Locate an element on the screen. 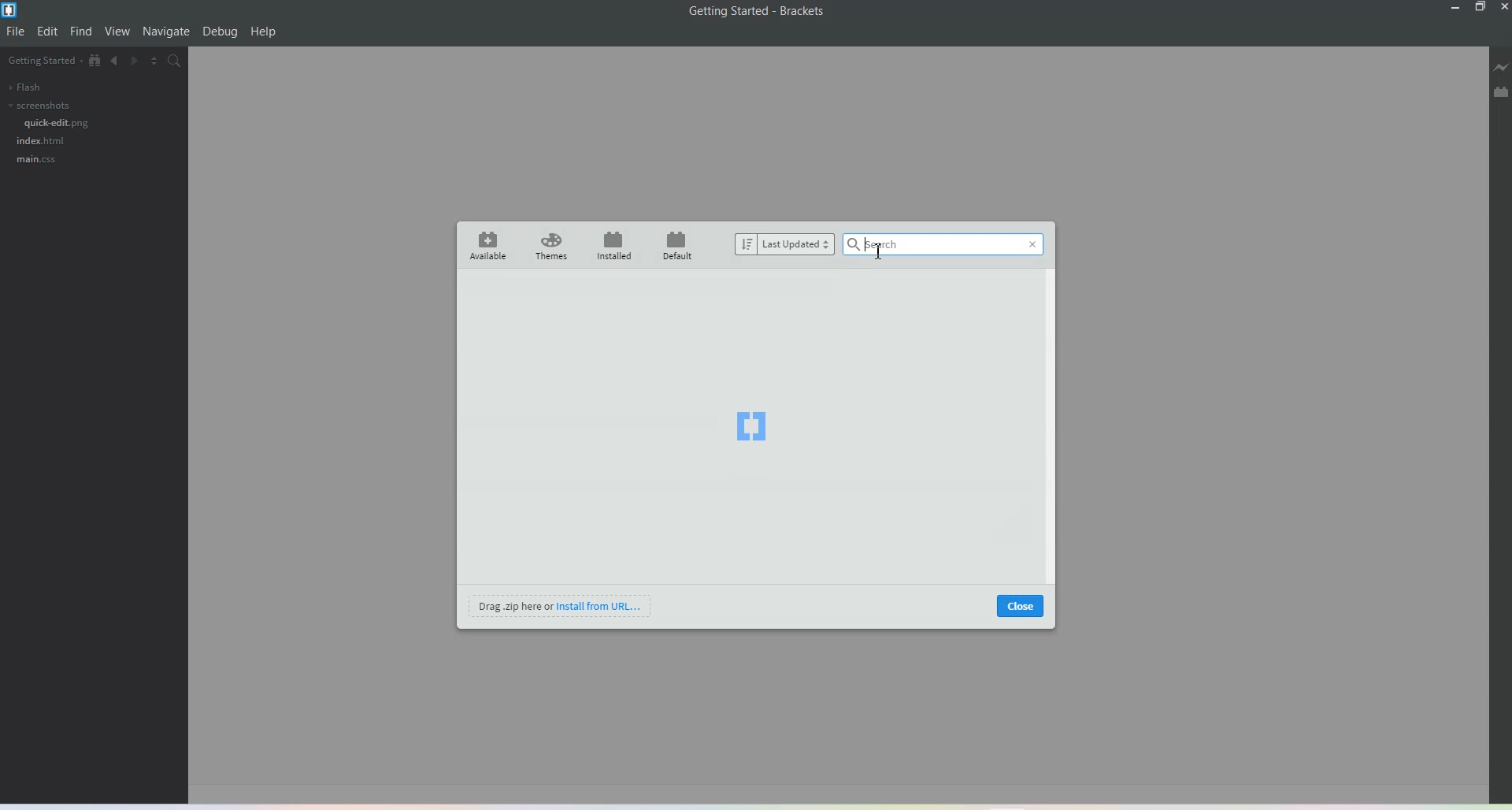  Theme is located at coordinates (552, 246).